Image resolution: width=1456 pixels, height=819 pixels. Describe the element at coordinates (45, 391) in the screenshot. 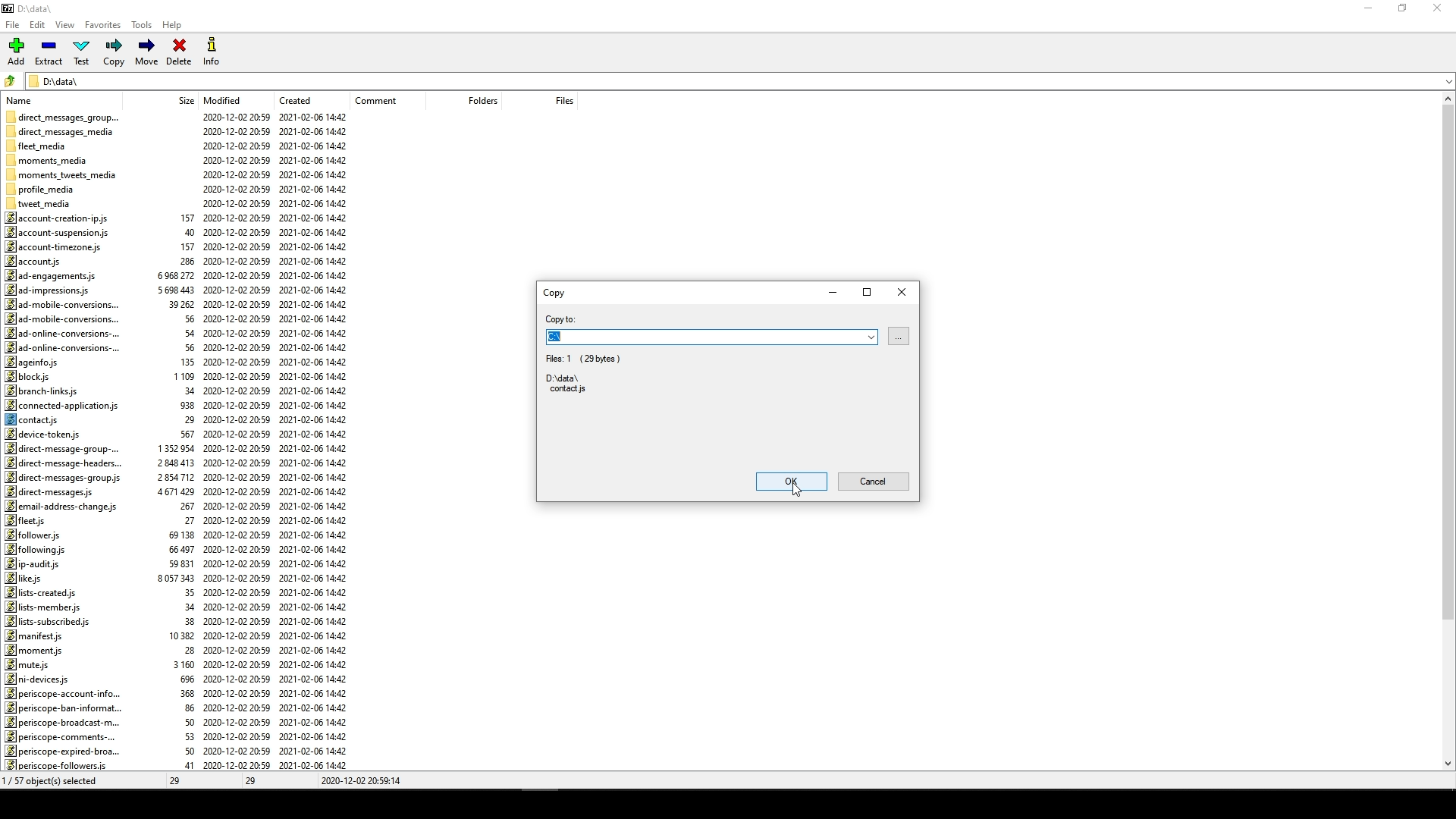

I see `branch-links.js` at that location.